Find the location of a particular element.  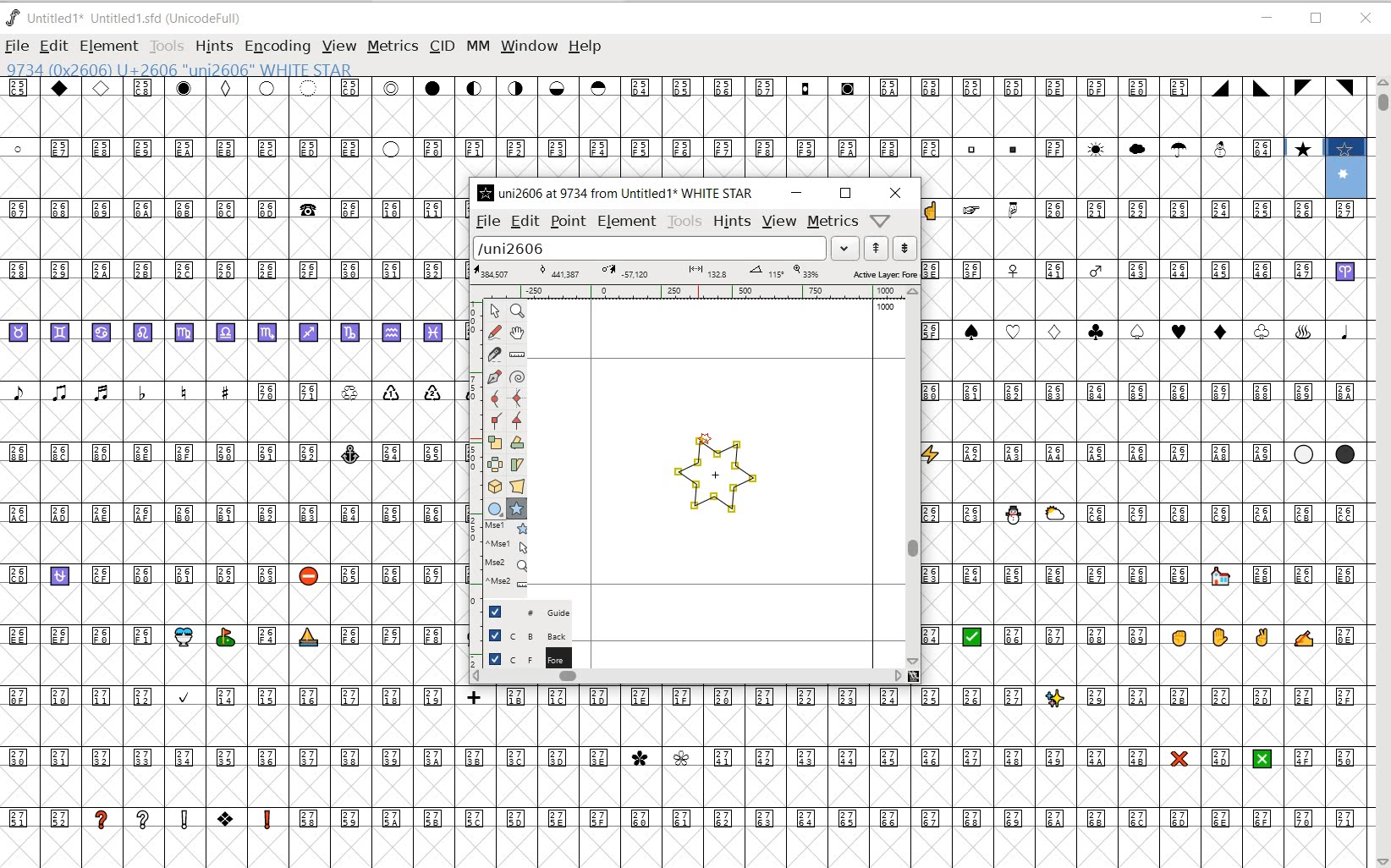

FOREGROUND is located at coordinates (520, 658).